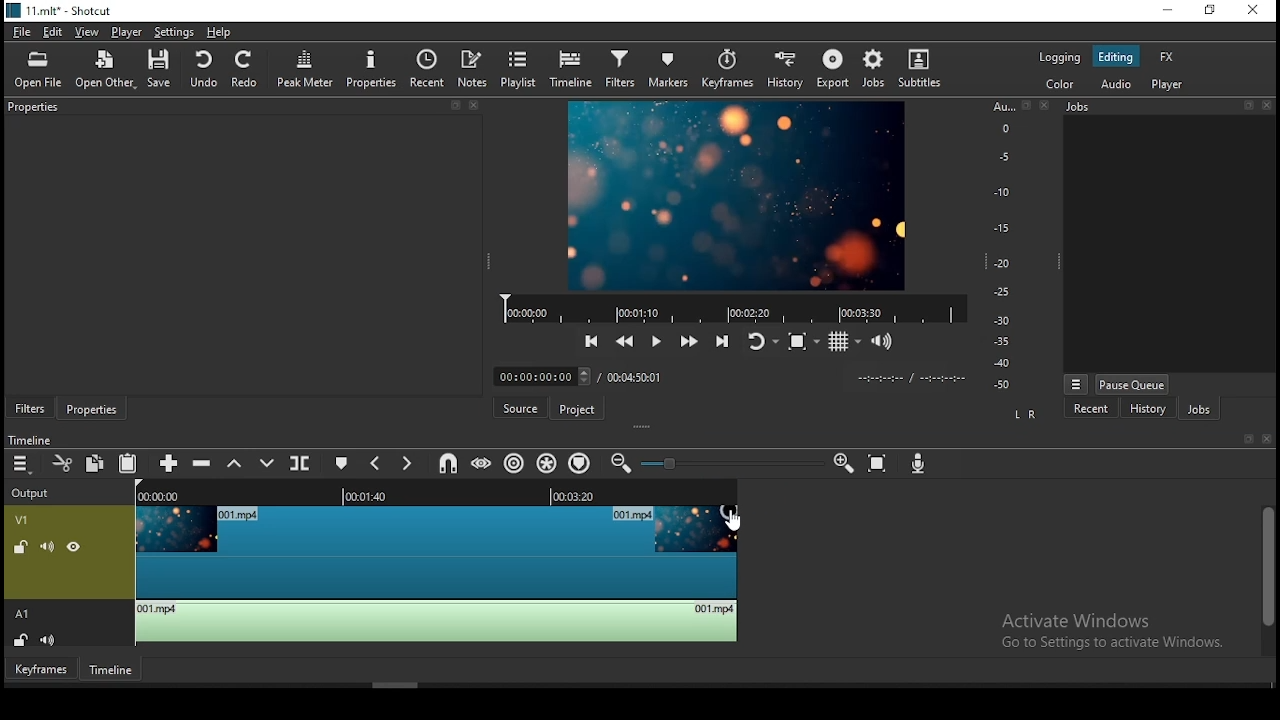 Image resolution: width=1280 pixels, height=720 pixels. I want to click on remaining time, so click(573, 495).